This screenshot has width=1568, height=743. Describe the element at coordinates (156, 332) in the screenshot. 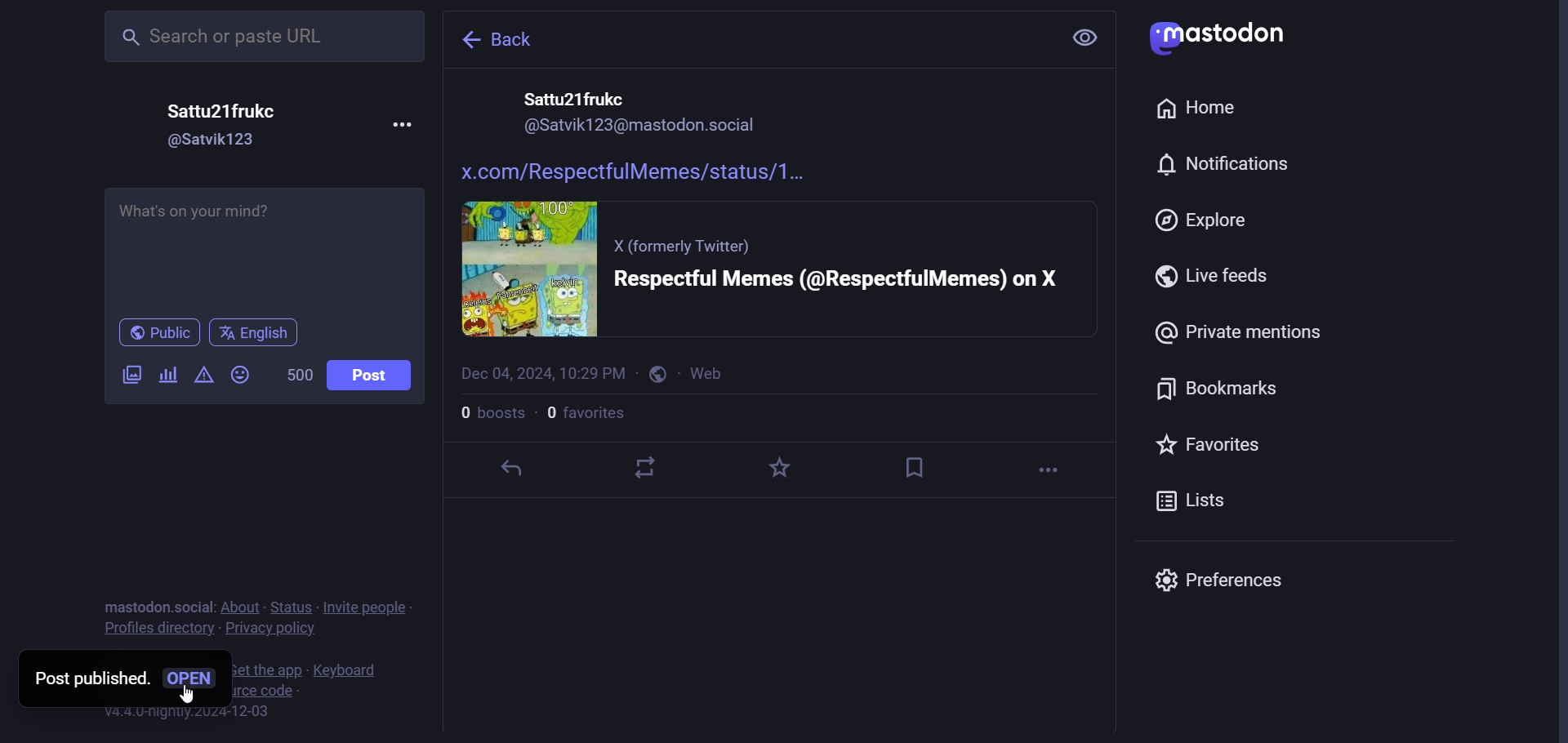

I see `public` at that location.